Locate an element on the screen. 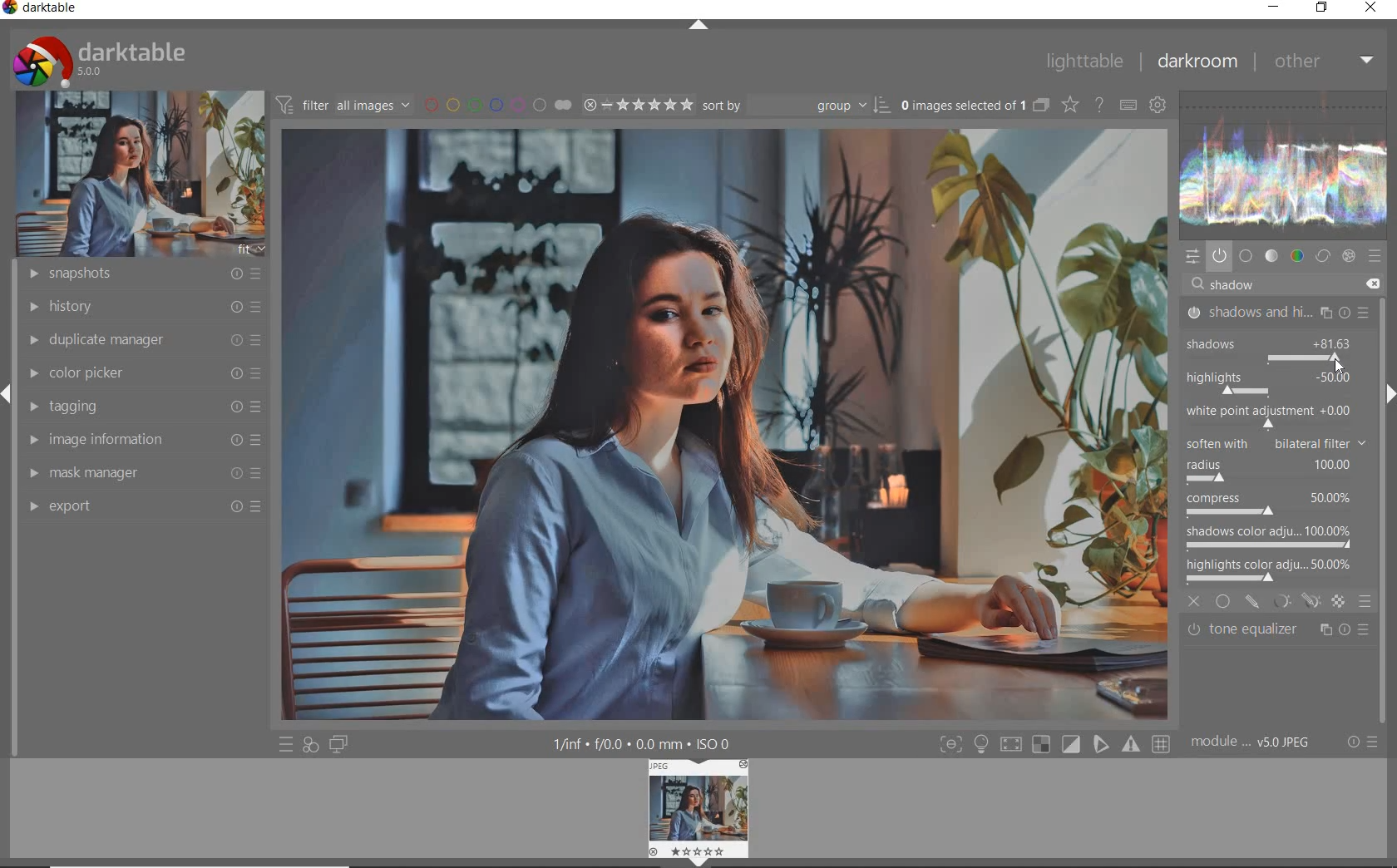 This screenshot has height=868, width=1397. darkroom is located at coordinates (1196, 62).